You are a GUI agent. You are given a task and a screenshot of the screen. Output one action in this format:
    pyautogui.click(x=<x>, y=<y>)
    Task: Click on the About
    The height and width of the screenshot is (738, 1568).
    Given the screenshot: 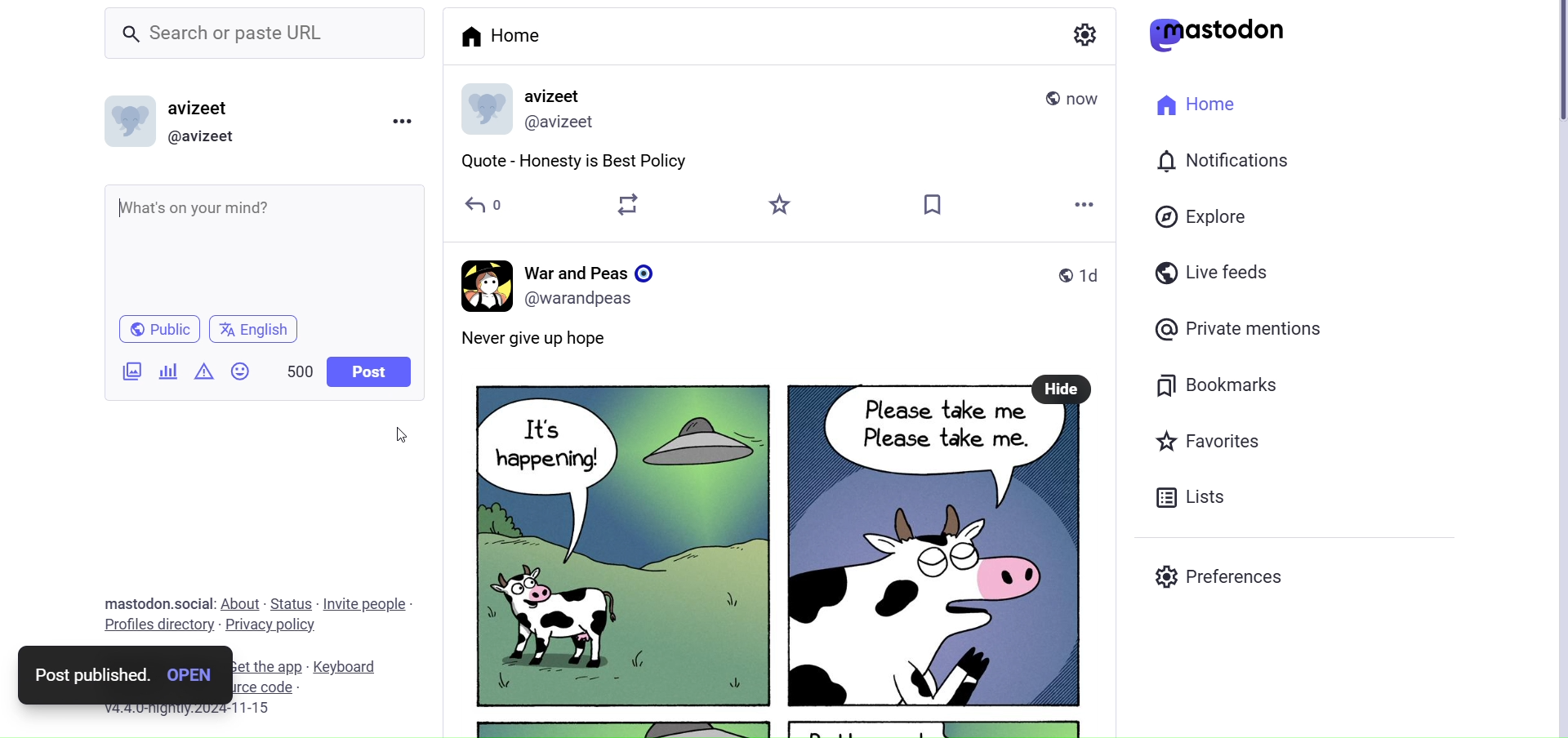 What is the action you would take?
    pyautogui.click(x=243, y=602)
    